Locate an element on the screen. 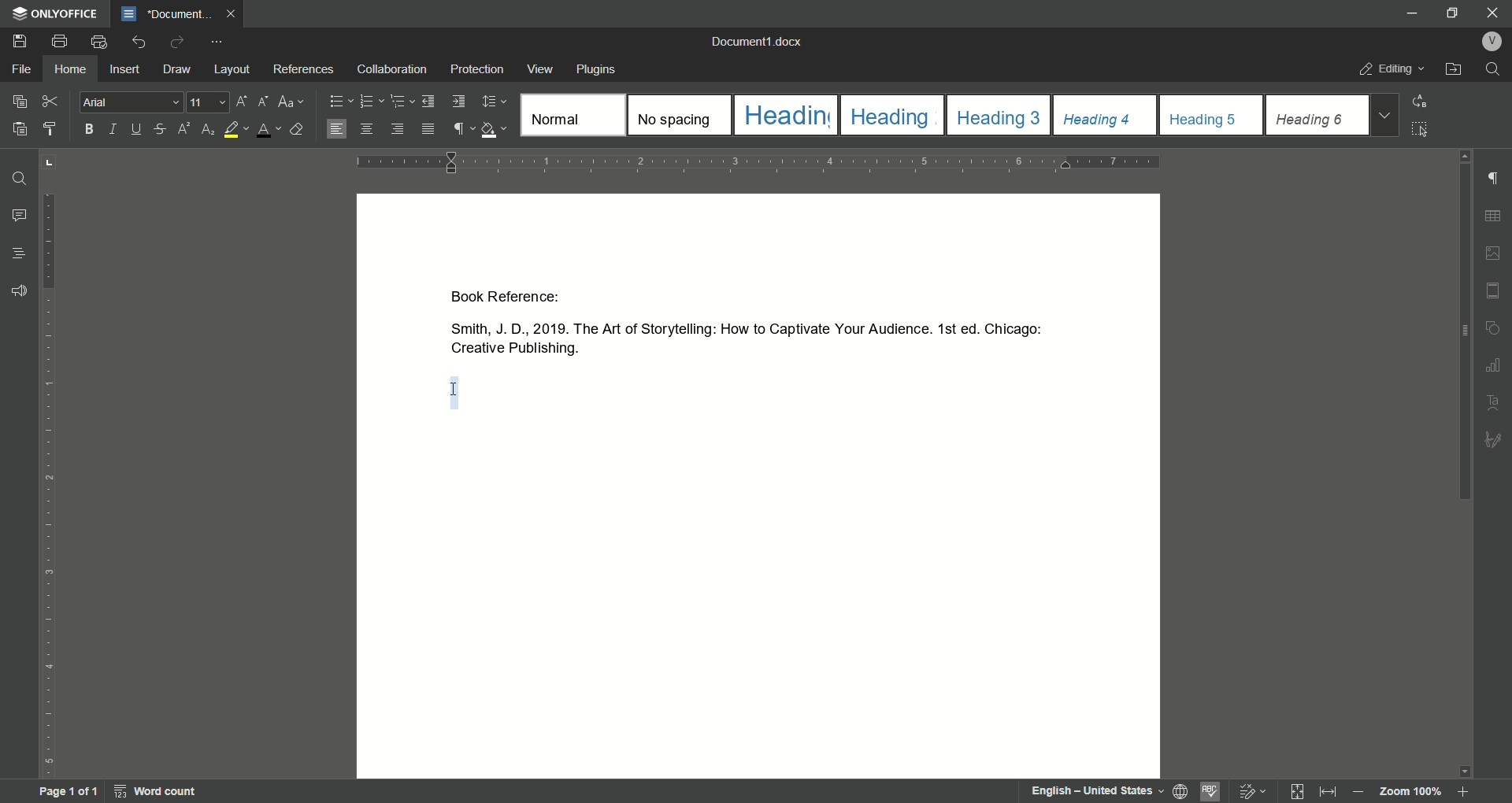 The height and width of the screenshot is (803, 1512). multilevel list is located at coordinates (398, 101).